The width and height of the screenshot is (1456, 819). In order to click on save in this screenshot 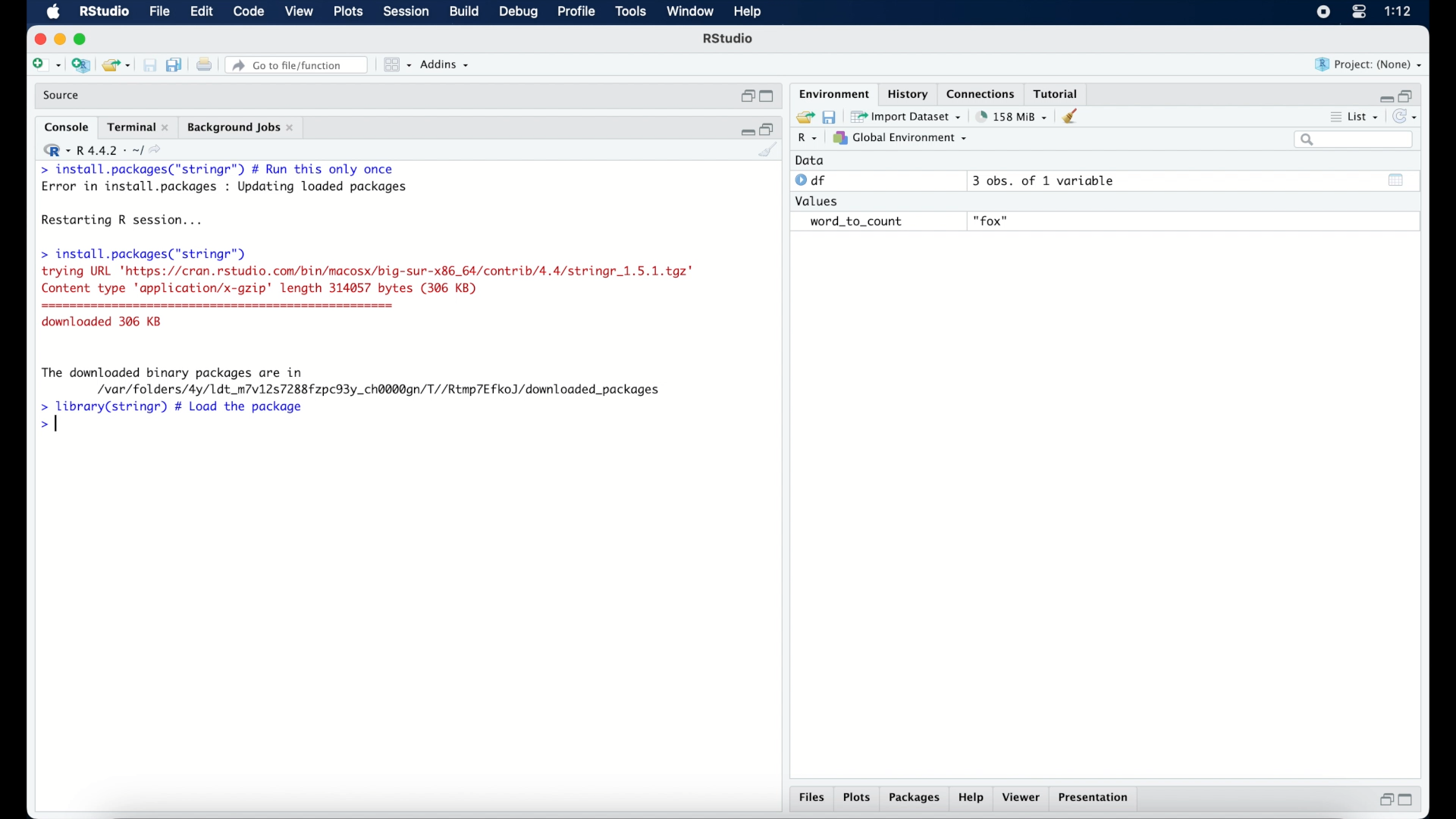, I will do `click(831, 116)`.